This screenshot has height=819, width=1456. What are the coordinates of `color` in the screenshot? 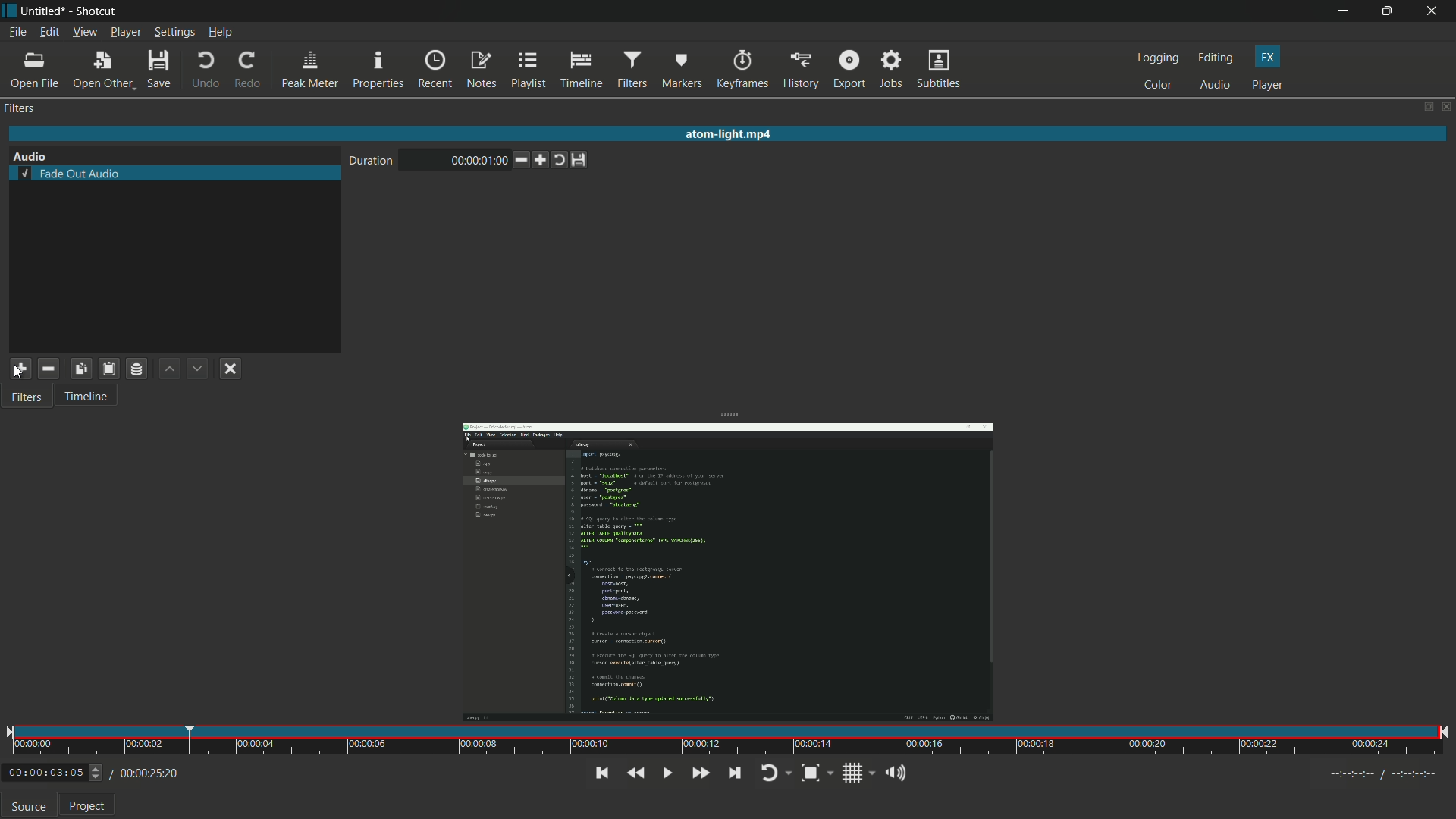 It's located at (1157, 85).